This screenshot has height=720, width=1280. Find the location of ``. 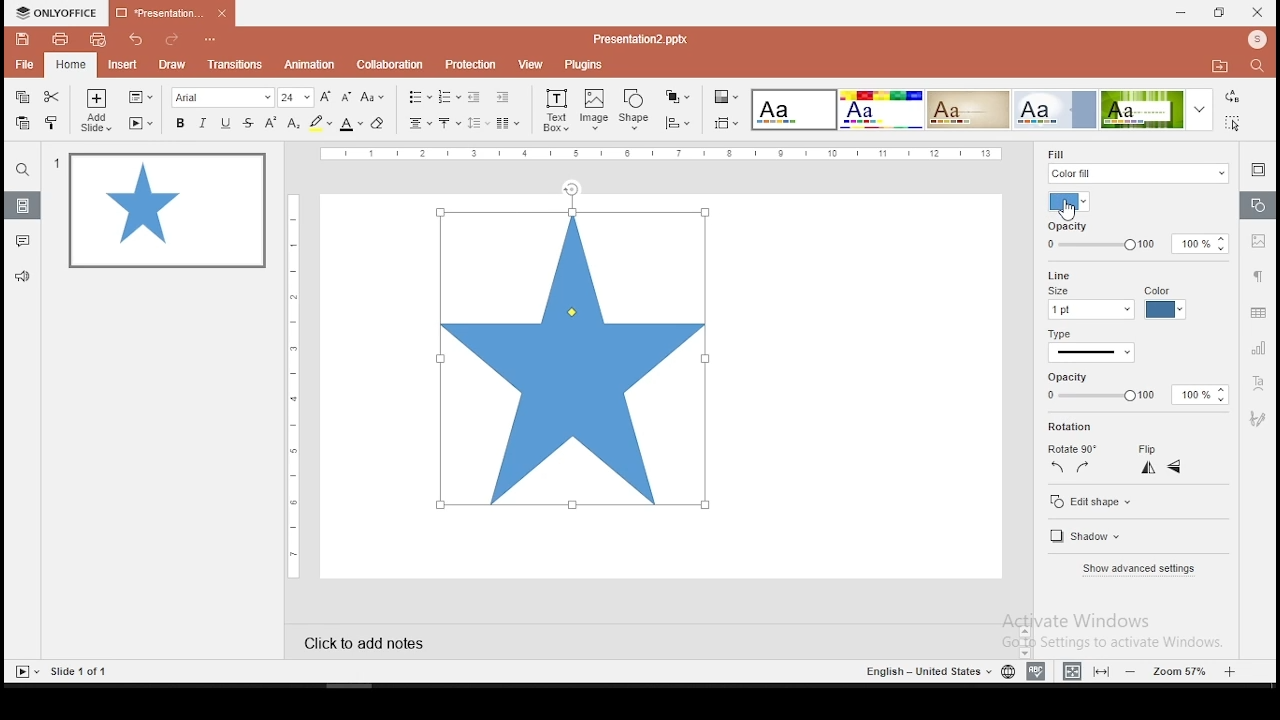

 is located at coordinates (1256, 419).